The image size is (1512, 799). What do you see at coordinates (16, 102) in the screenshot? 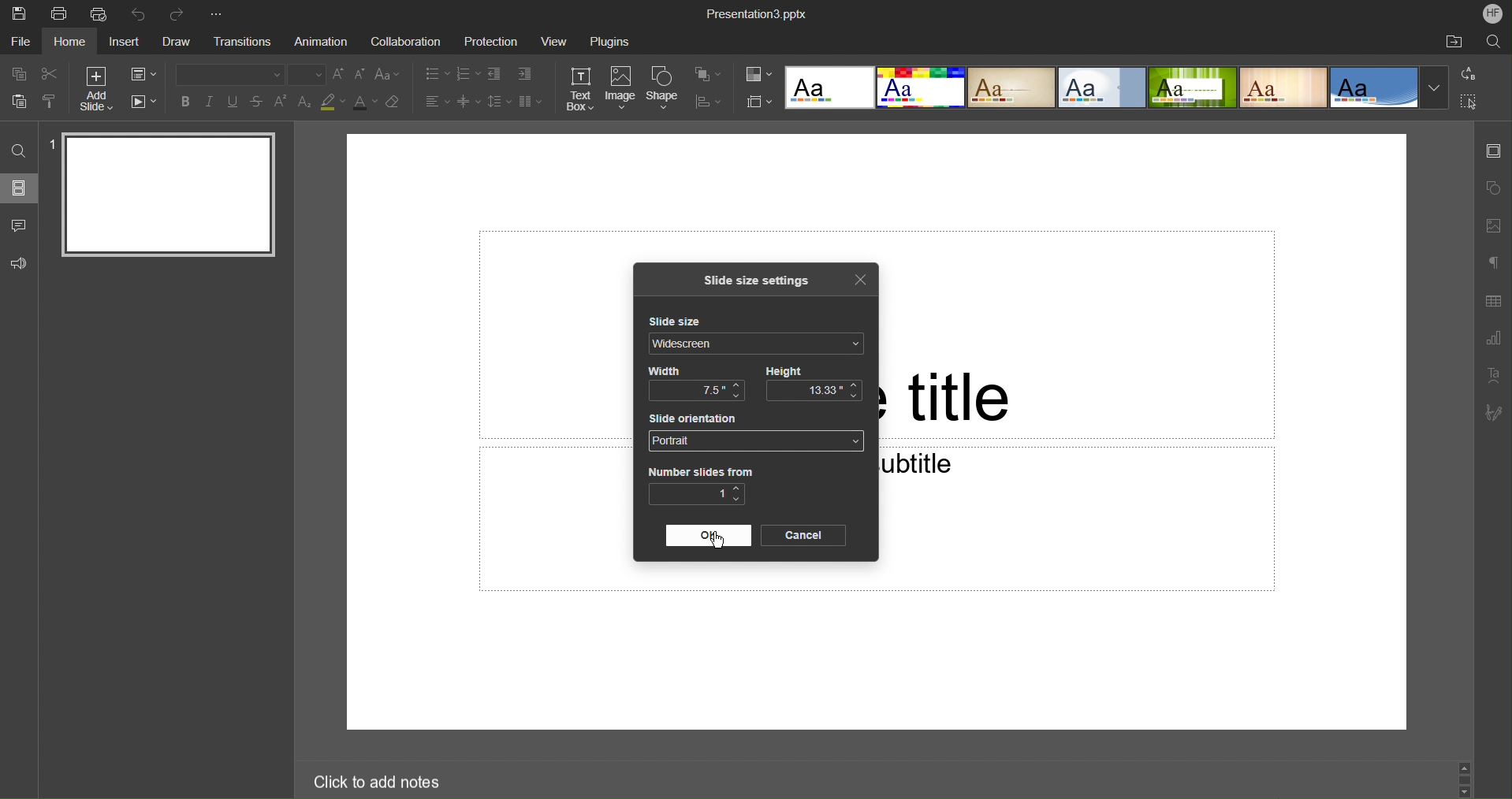
I see `Paste` at bounding box center [16, 102].